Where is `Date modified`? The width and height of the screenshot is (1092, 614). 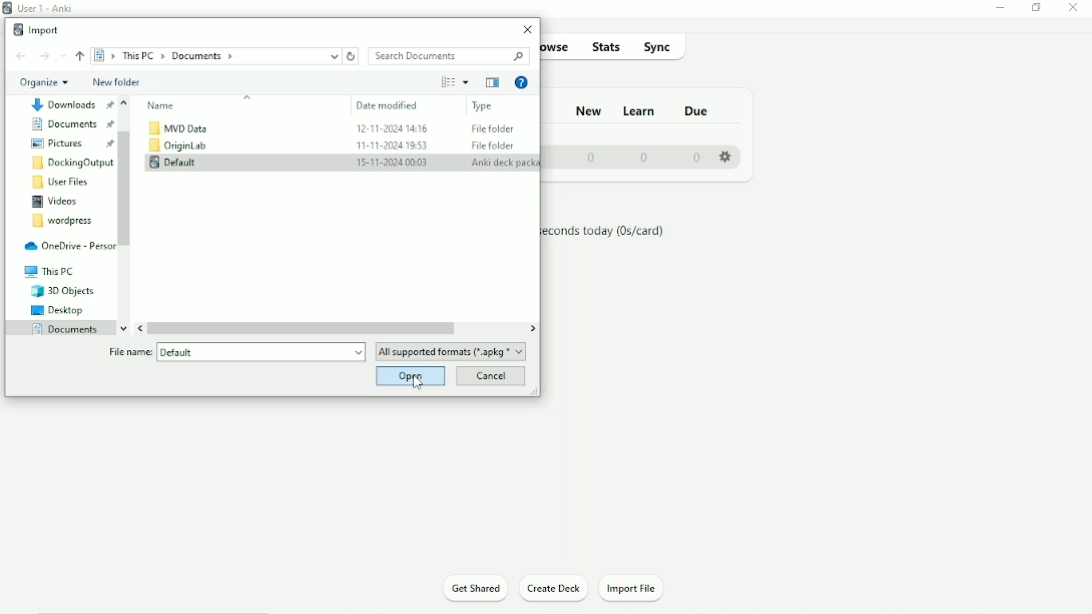 Date modified is located at coordinates (387, 104).